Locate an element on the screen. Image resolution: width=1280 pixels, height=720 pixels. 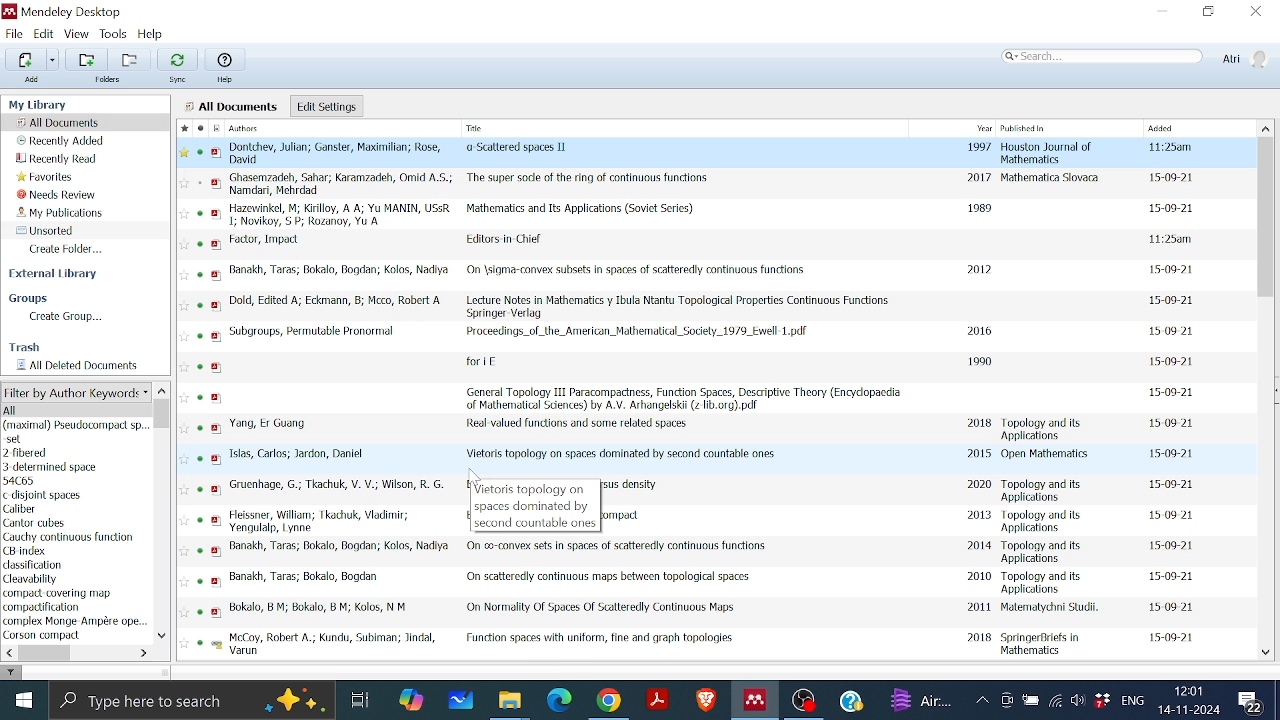
Move down in filter by author keywords is located at coordinates (159, 636).